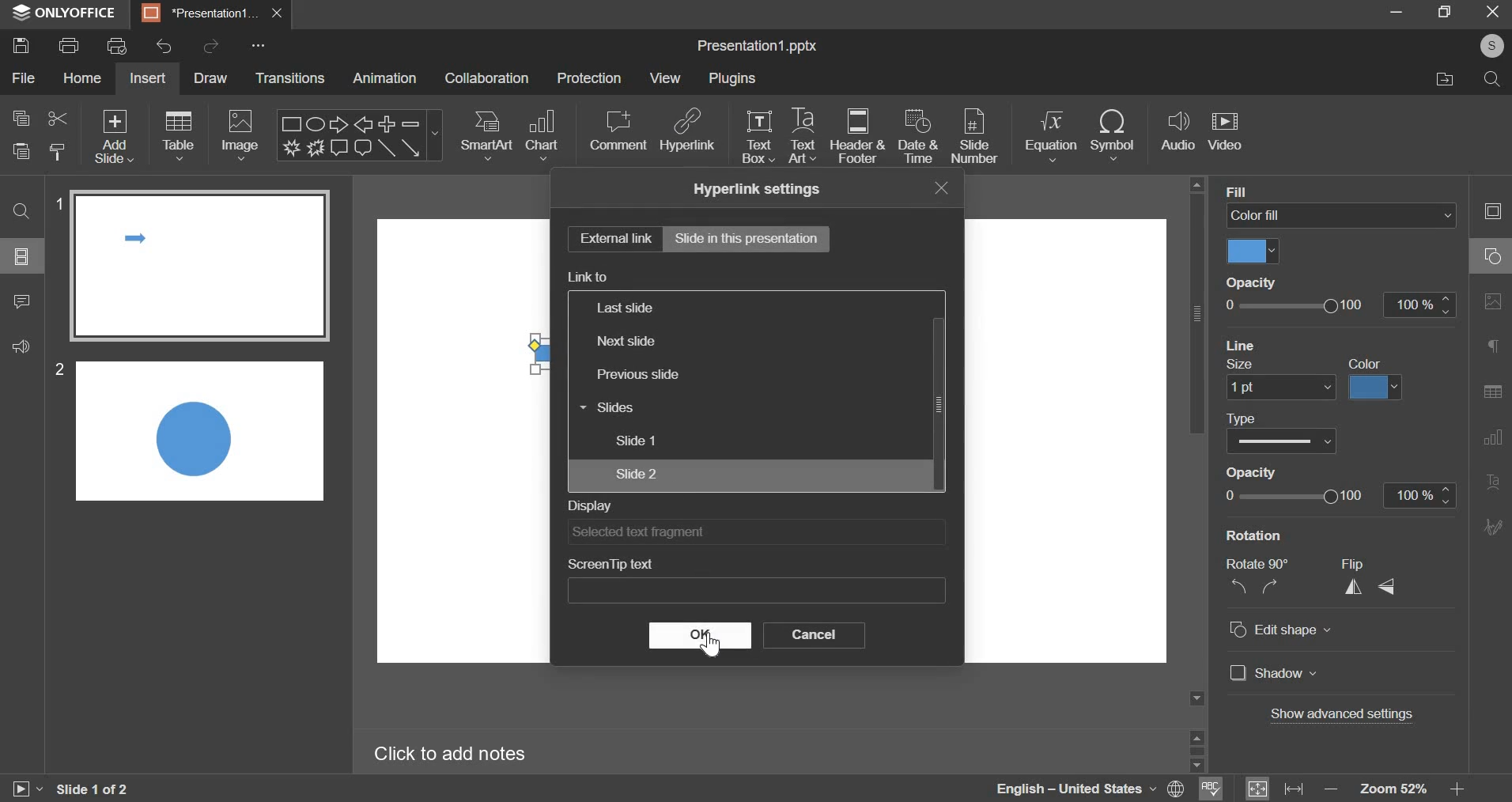  What do you see at coordinates (56, 204) in the screenshot?
I see `1` at bounding box center [56, 204].